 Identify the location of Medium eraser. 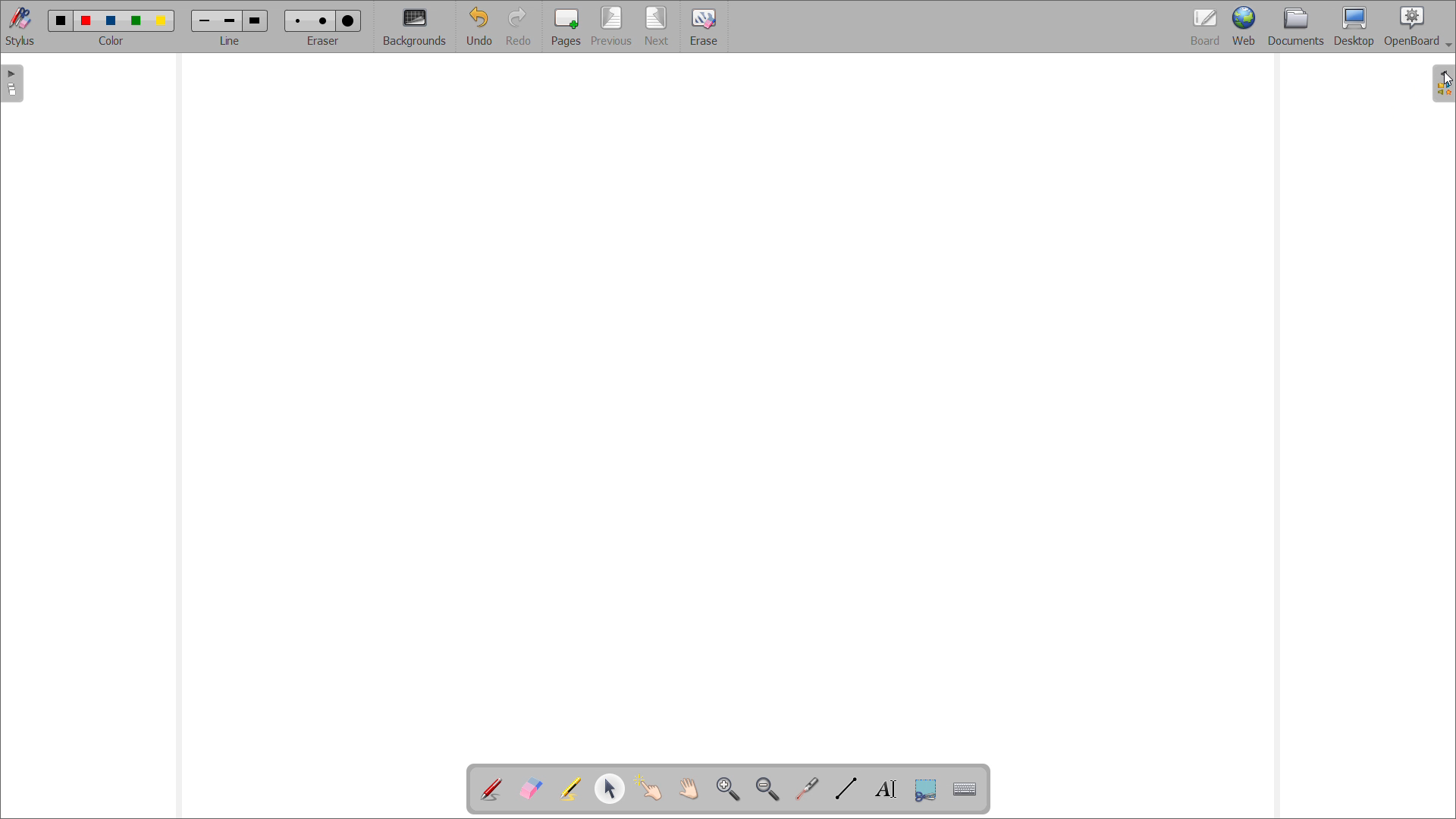
(322, 19).